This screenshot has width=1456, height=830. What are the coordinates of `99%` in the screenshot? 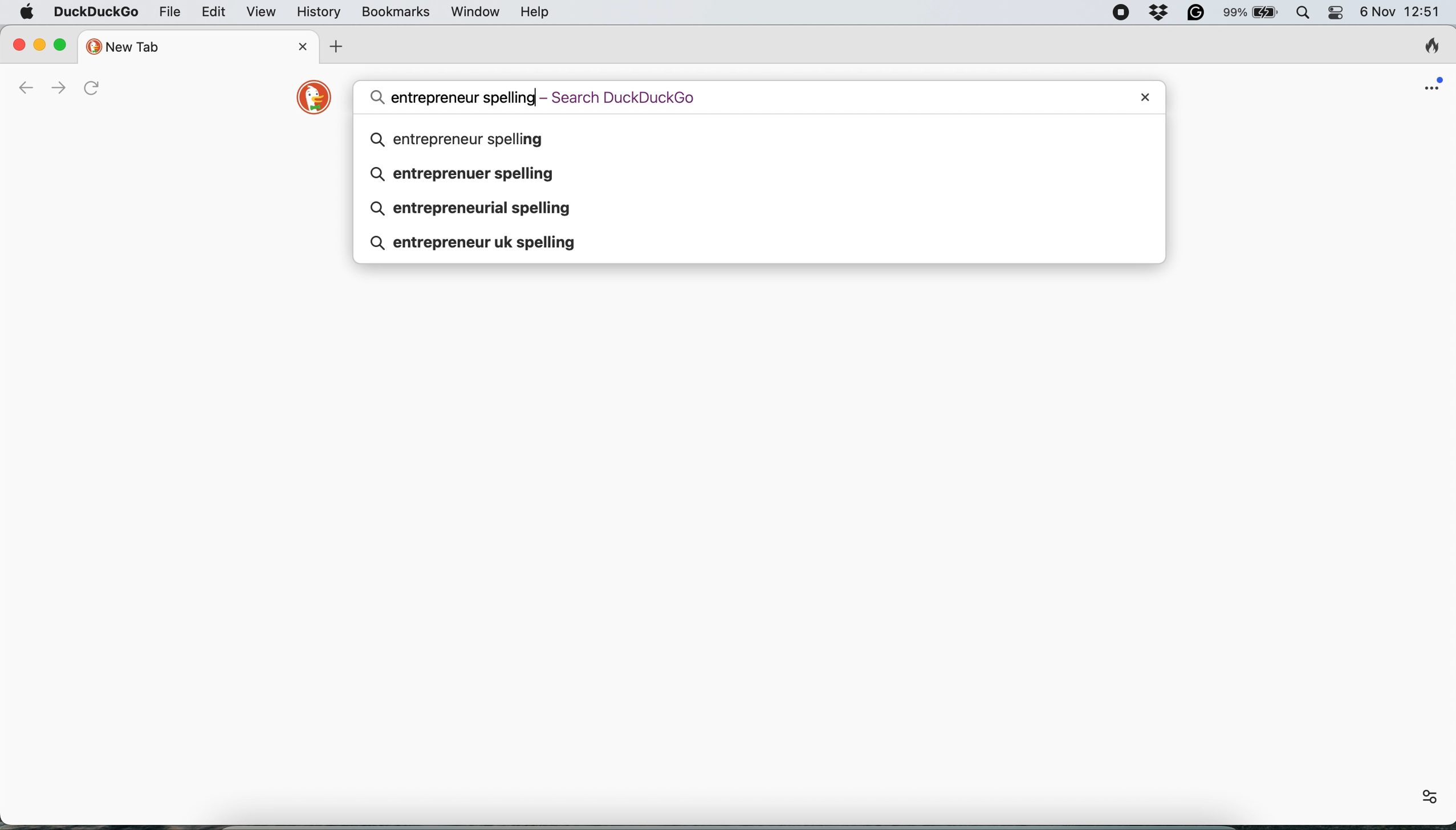 It's located at (1231, 14).